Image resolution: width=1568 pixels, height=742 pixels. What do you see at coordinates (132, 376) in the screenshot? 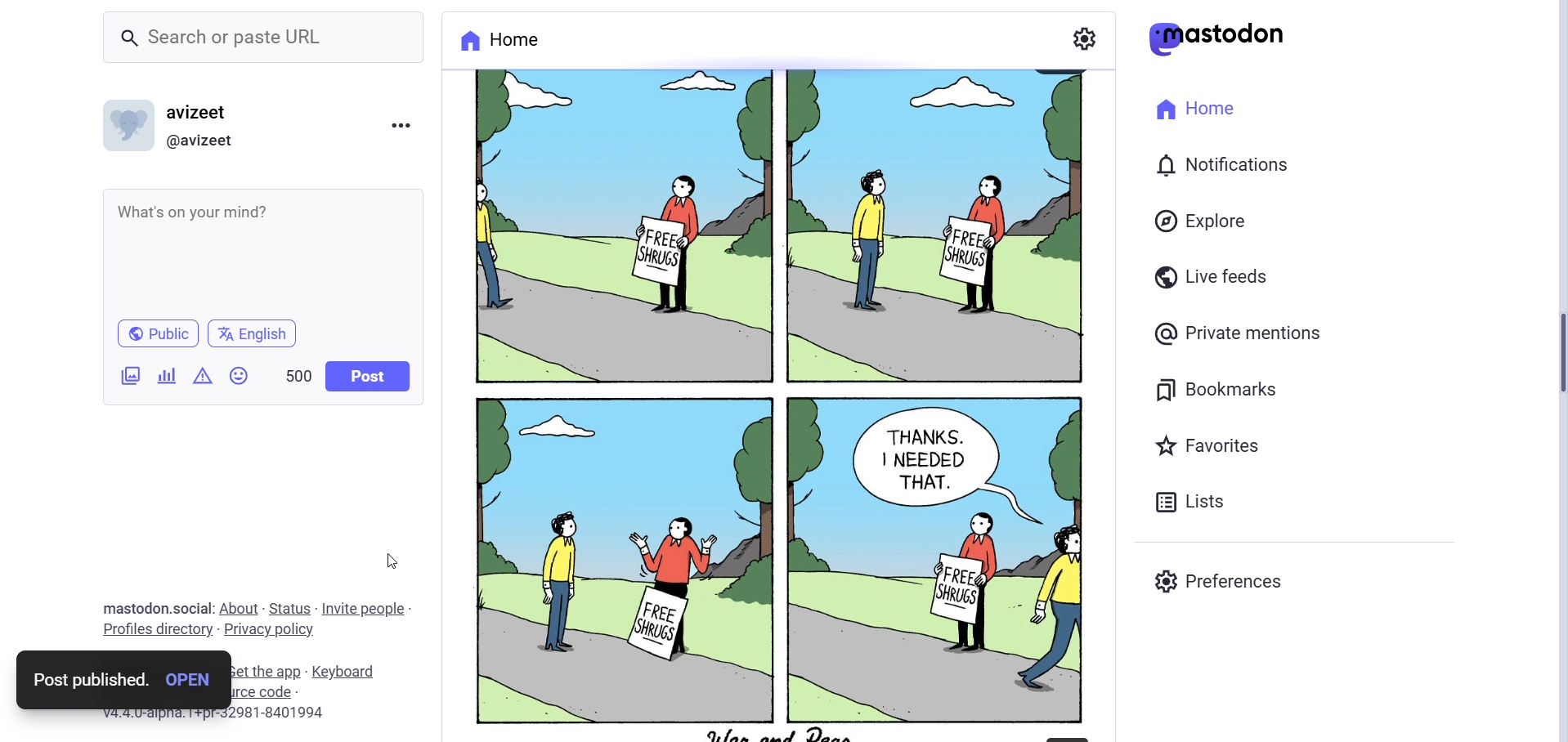
I see `Ad Images` at bounding box center [132, 376].